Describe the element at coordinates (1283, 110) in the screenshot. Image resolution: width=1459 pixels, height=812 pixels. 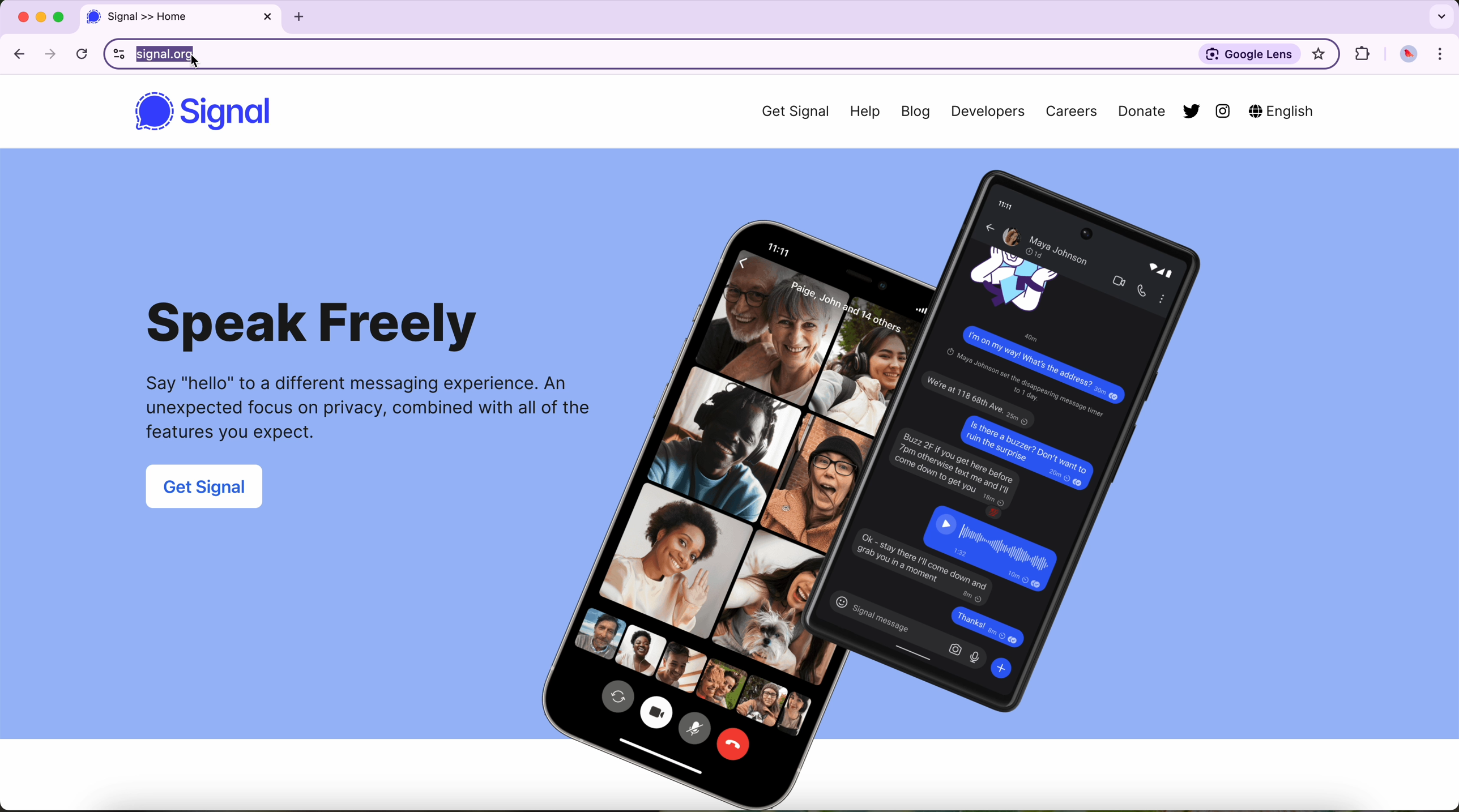
I see `English` at that location.